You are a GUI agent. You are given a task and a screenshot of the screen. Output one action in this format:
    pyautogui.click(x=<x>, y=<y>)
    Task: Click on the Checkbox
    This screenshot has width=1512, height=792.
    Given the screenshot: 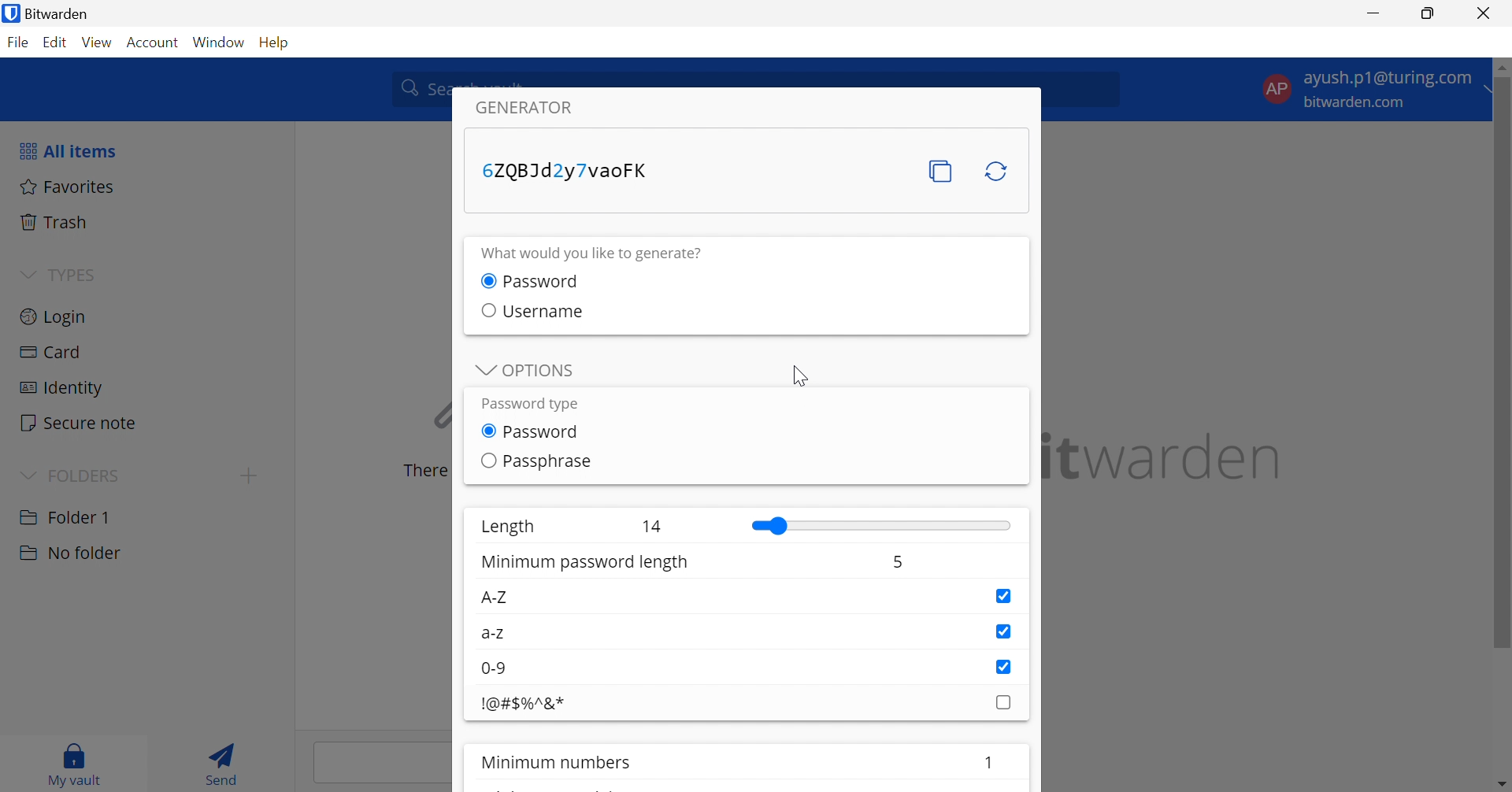 What is the action you would take?
    pyautogui.click(x=1001, y=596)
    